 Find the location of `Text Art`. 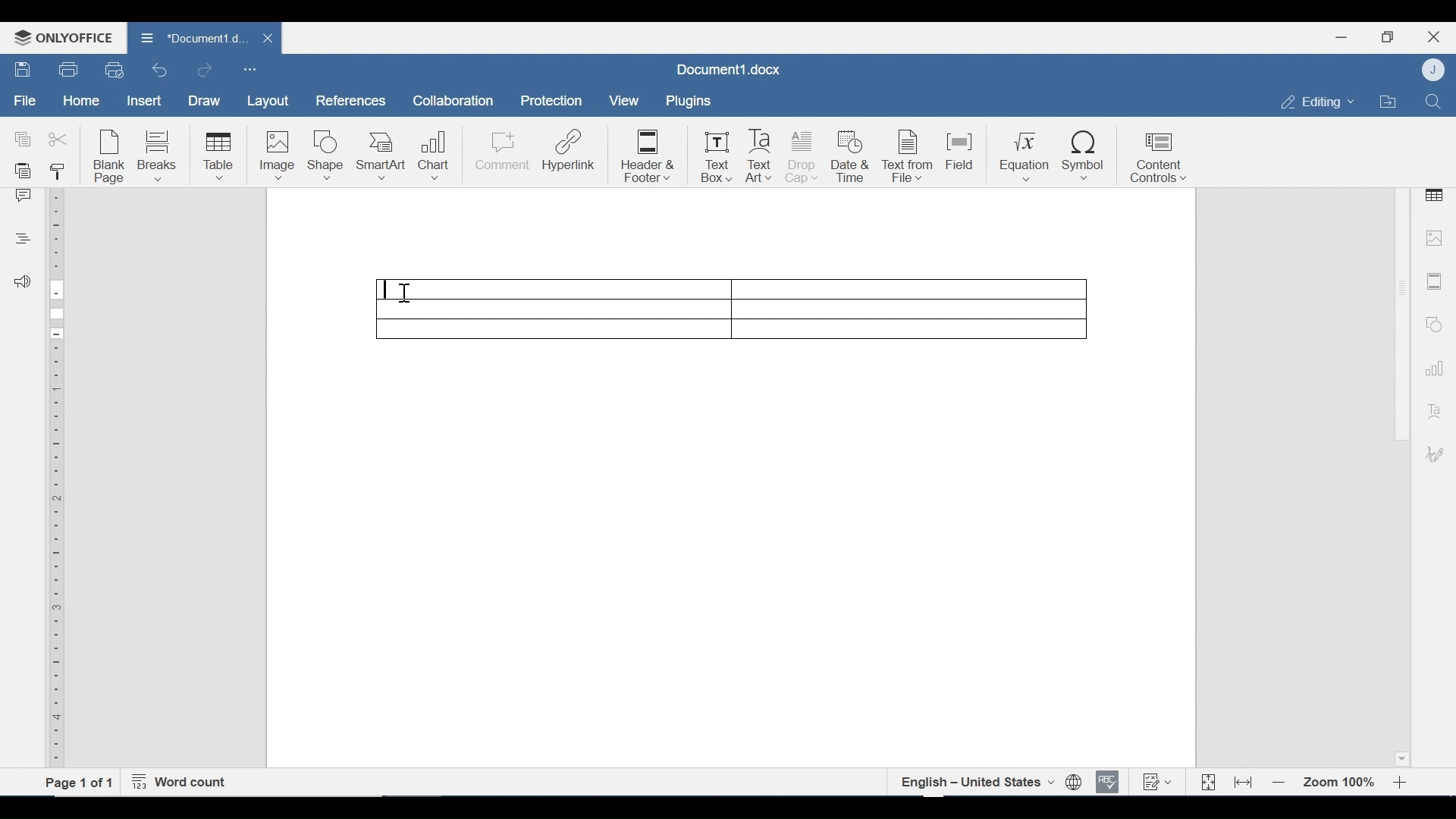

Text Art is located at coordinates (761, 157).